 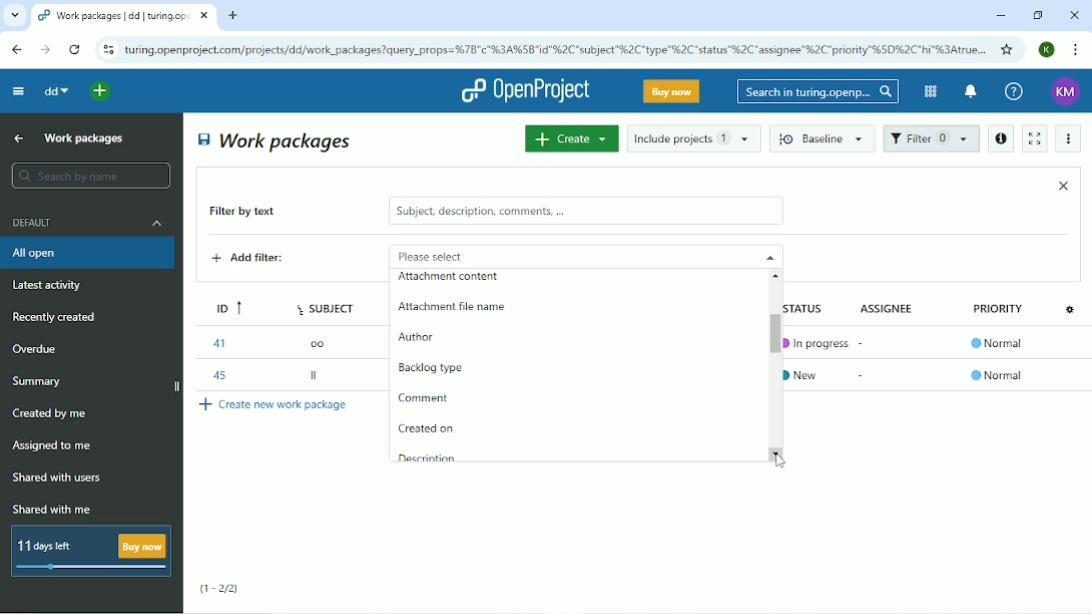 What do you see at coordinates (928, 91) in the screenshot?
I see `Modules` at bounding box center [928, 91].